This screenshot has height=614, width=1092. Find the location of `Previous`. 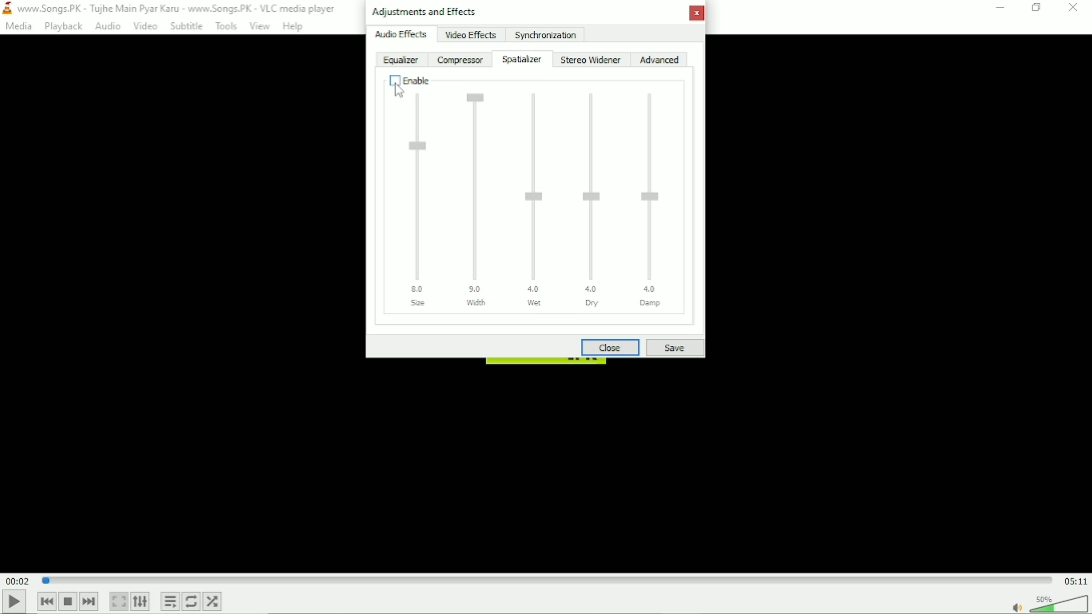

Previous is located at coordinates (46, 601).